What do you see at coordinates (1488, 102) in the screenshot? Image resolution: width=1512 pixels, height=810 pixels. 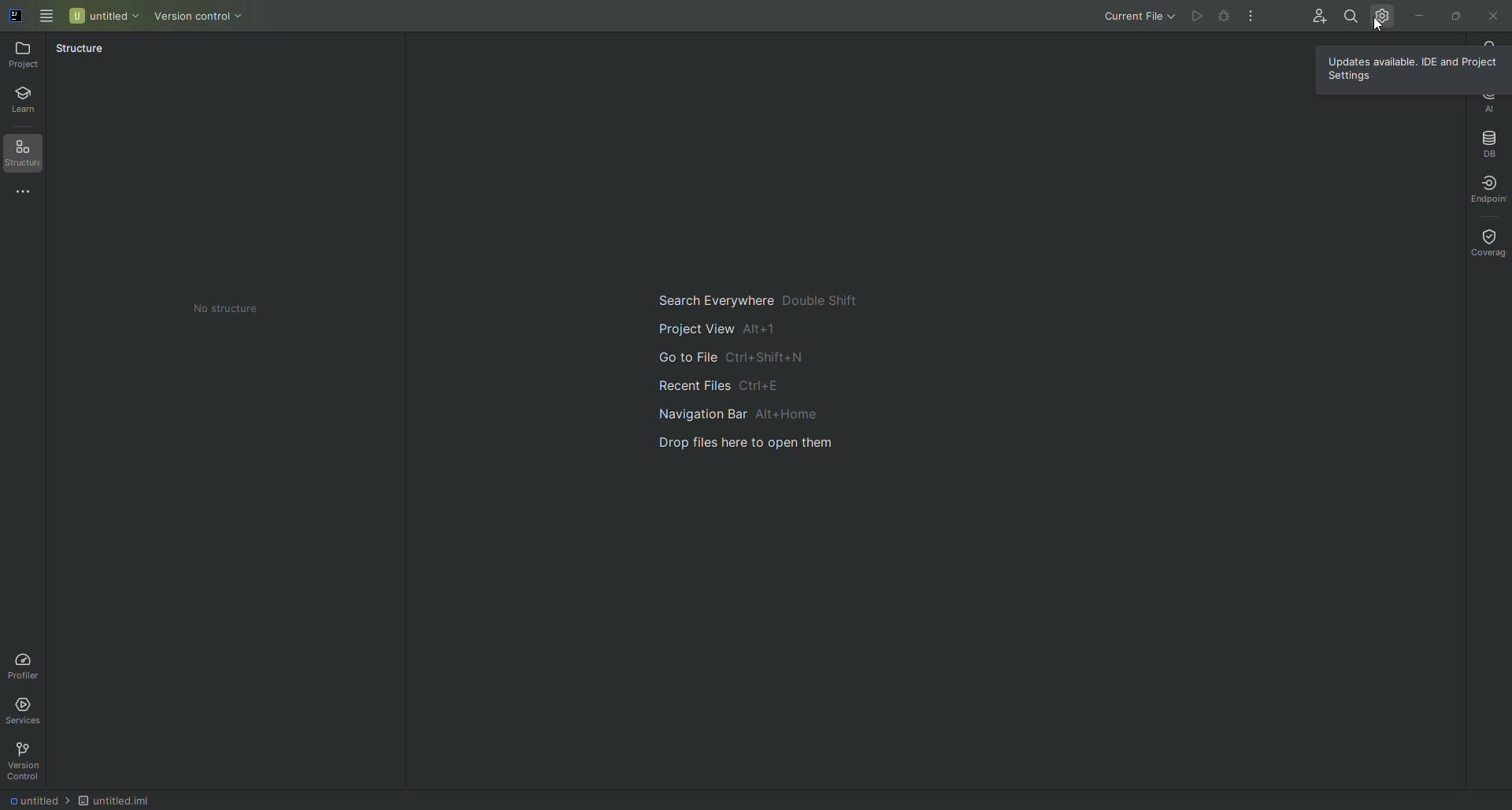 I see `AI Assistant` at bounding box center [1488, 102].